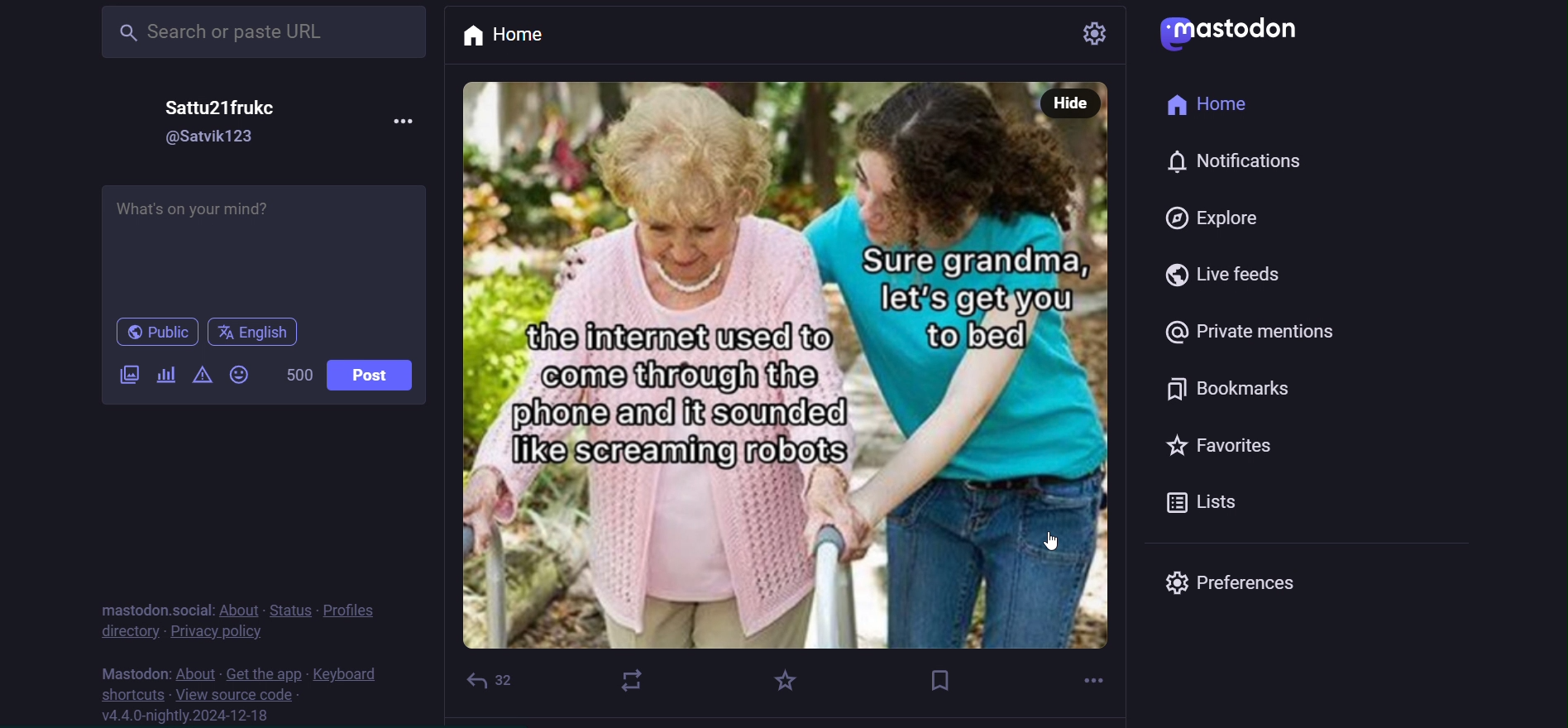 This screenshot has height=728, width=1568. I want to click on Sattu21frukc, so click(222, 108).